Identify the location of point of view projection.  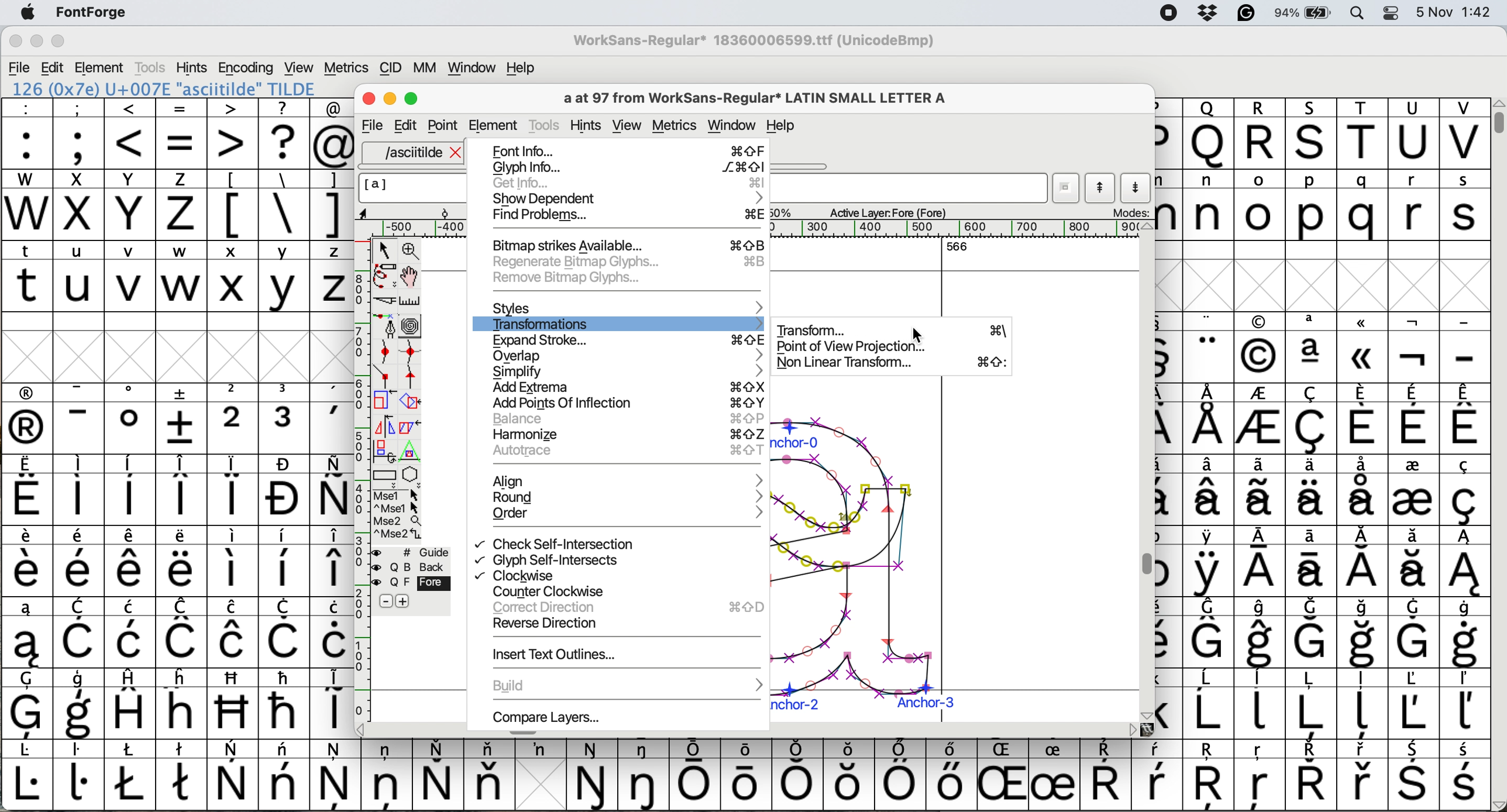
(893, 347).